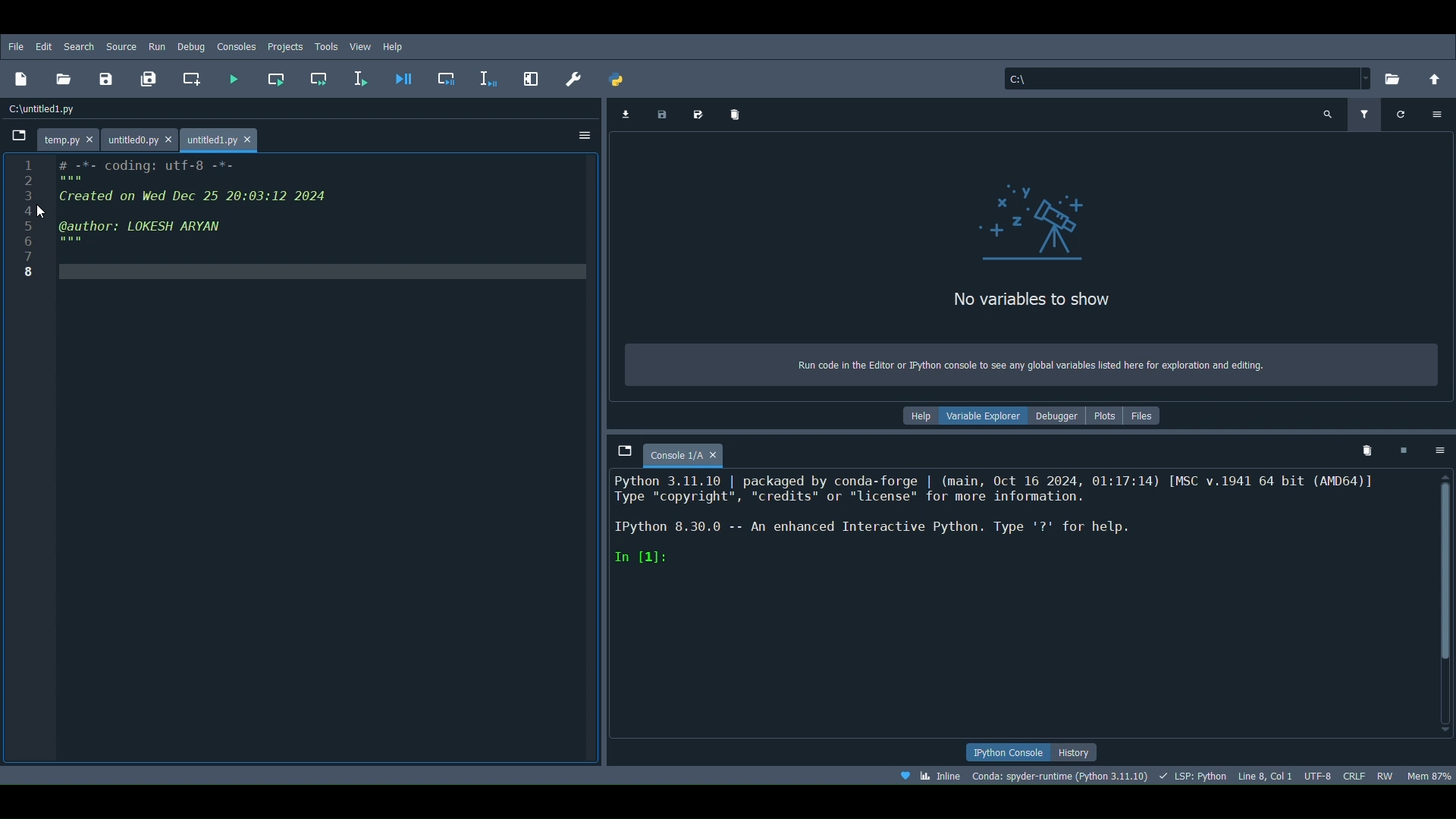 This screenshot has height=819, width=1456. Describe the element at coordinates (1386, 773) in the screenshot. I see `File permissions` at that location.